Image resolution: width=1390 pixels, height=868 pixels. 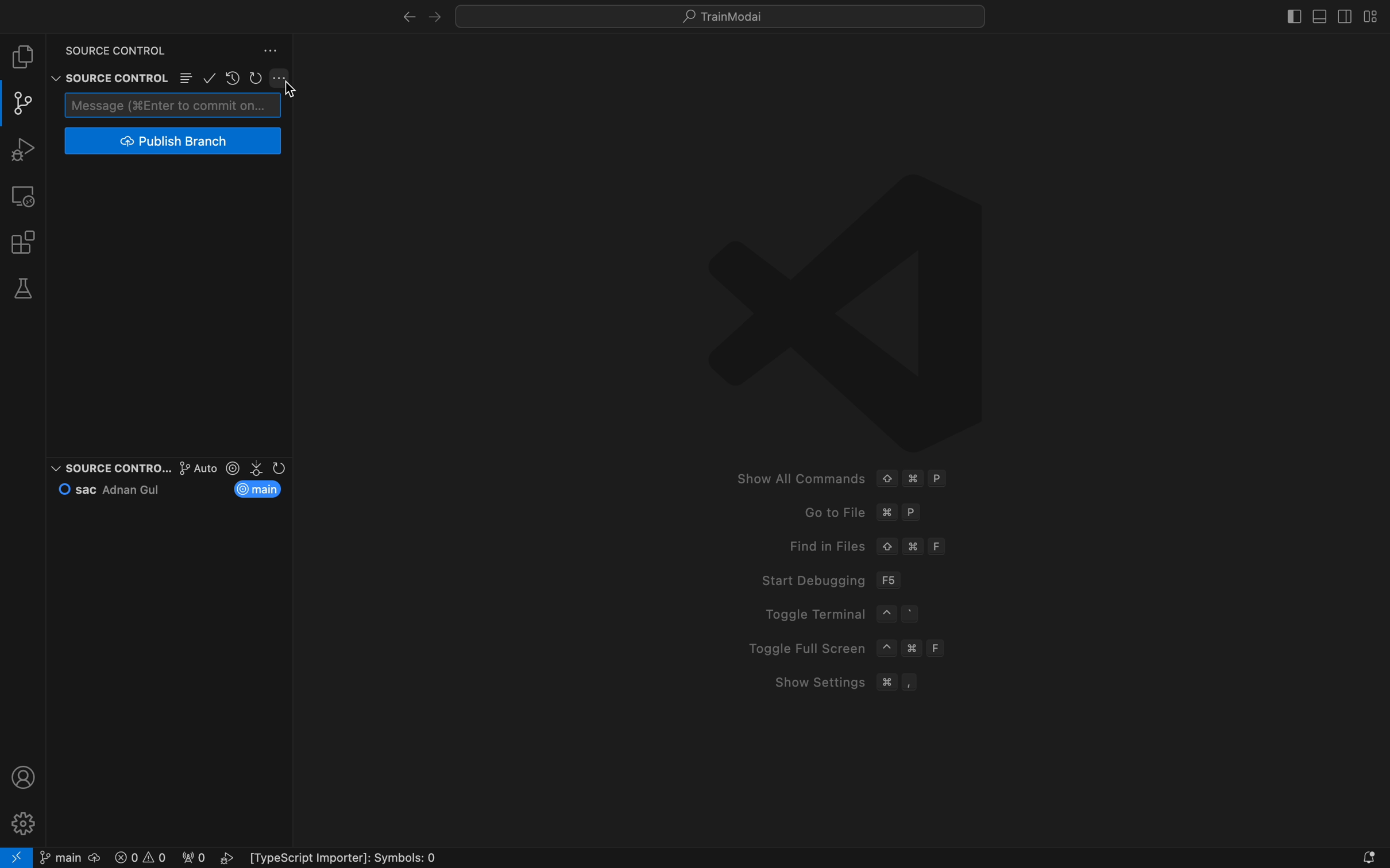 I want to click on git branch, so click(x=69, y=857).